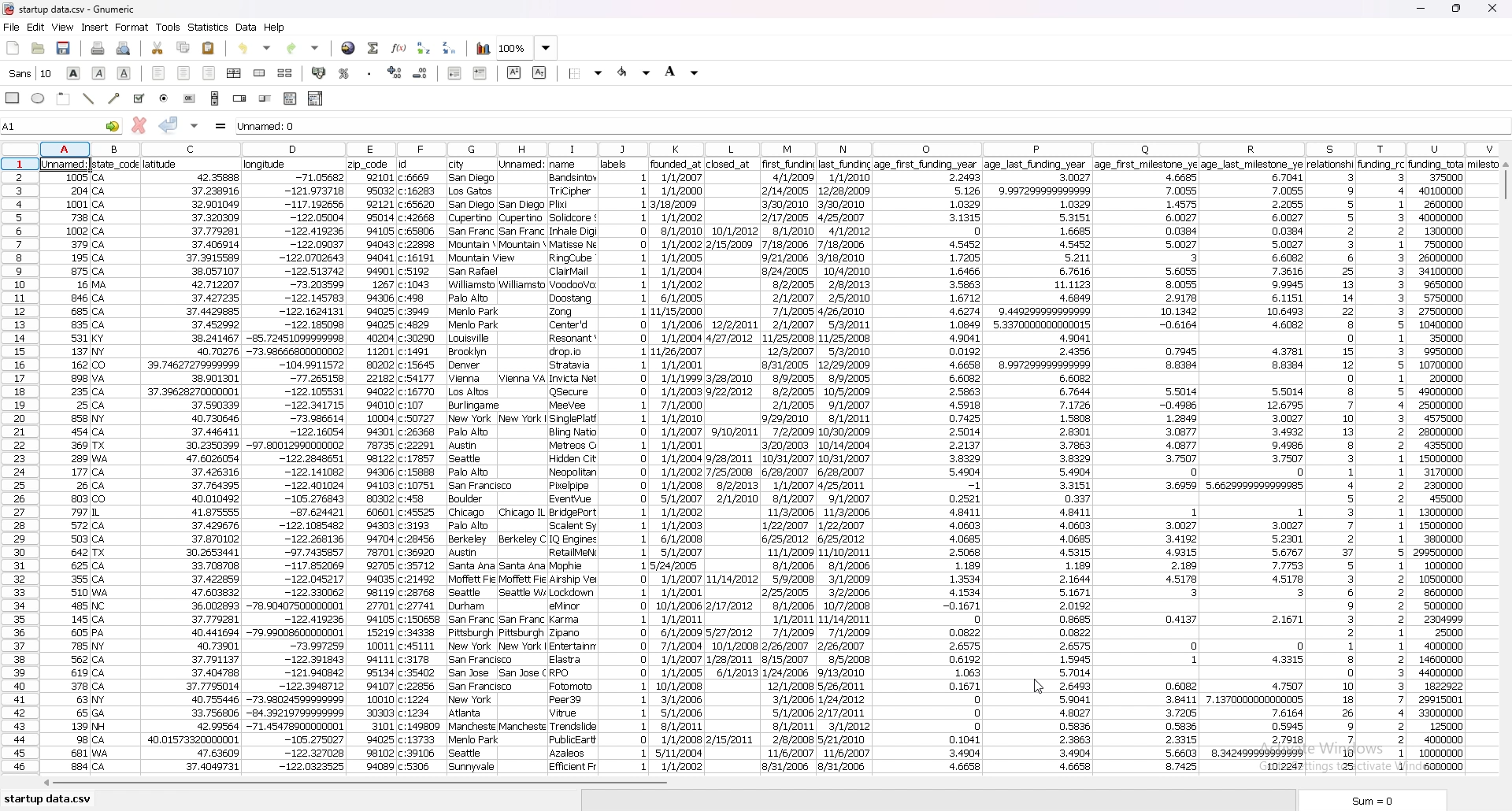 The width and height of the screenshot is (1512, 811). What do you see at coordinates (731, 462) in the screenshot?
I see `data` at bounding box center [731, 462].